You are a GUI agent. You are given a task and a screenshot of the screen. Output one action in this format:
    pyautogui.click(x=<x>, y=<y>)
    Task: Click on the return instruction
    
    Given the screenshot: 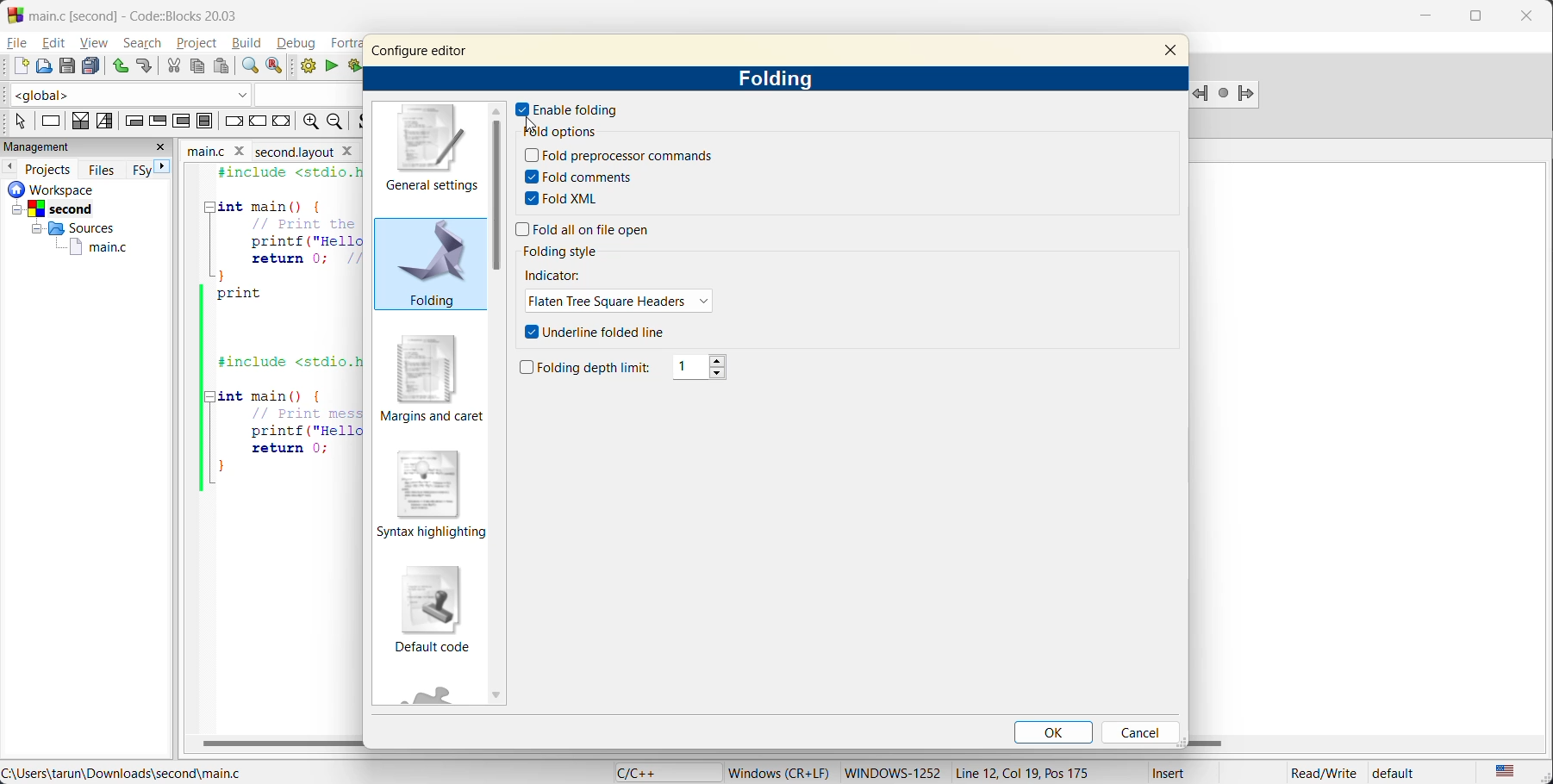 What is the action you would take?
    pyautogui.click(x=282, y=123)
    